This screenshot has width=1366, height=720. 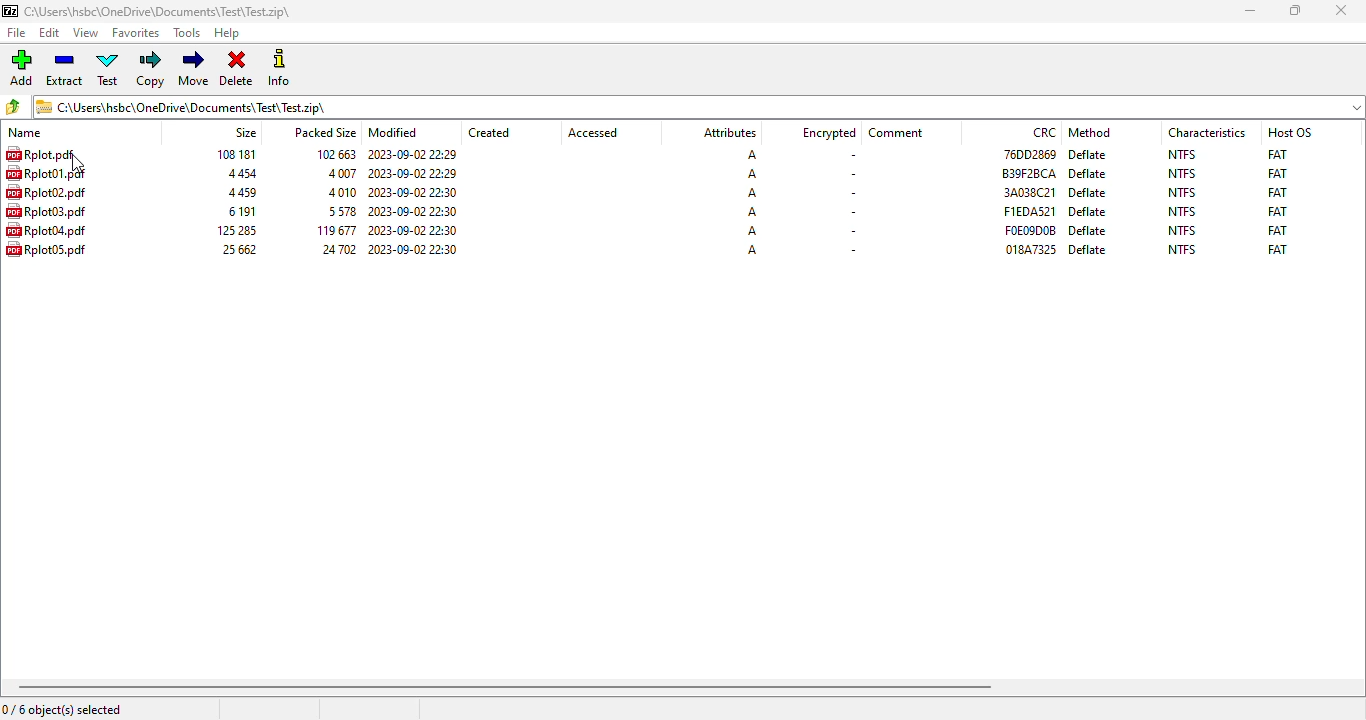 I want to click on maximize, so click(x=1295, y=11).